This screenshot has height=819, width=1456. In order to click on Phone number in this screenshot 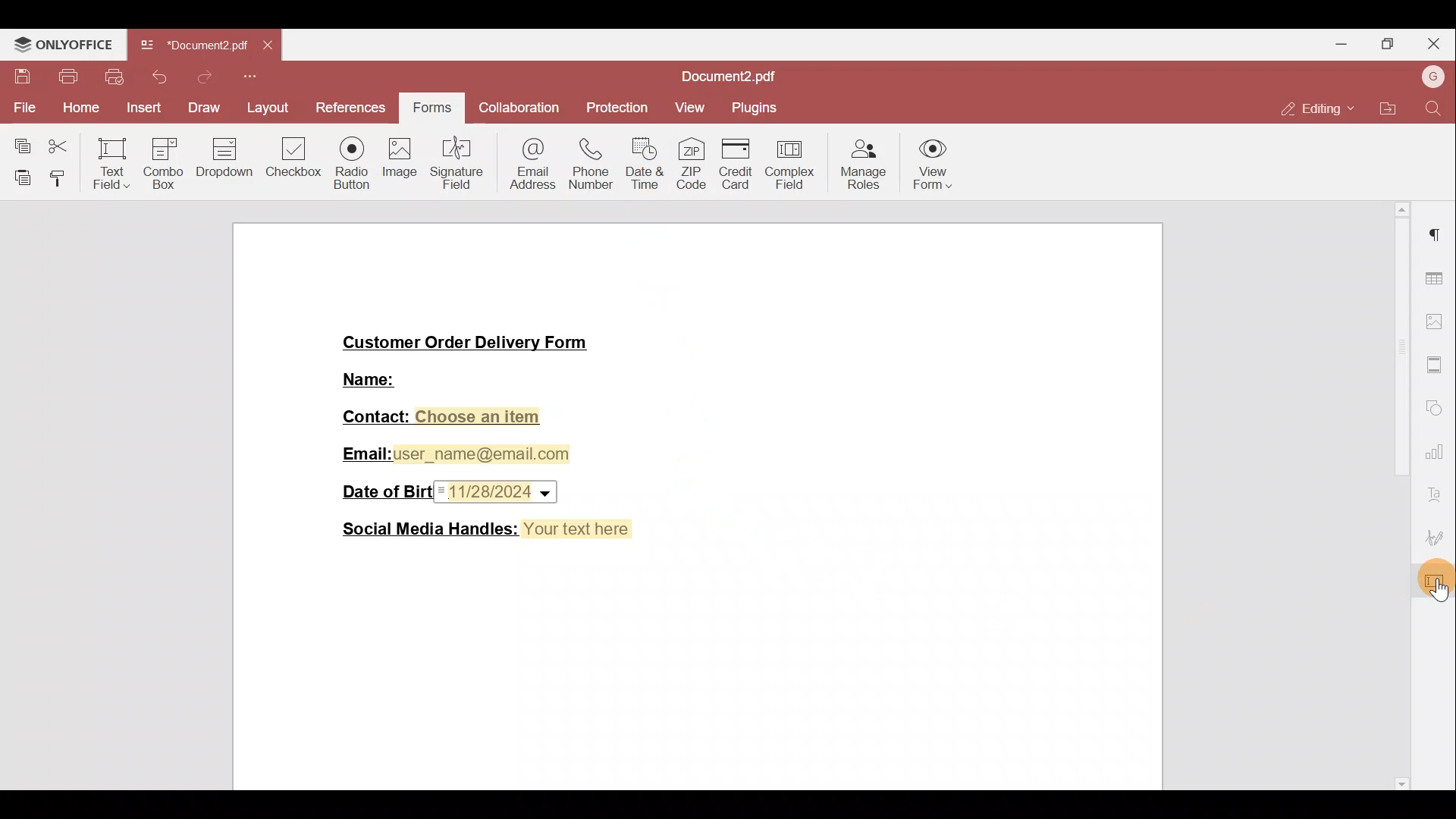, I will do `click(591, 160)`.